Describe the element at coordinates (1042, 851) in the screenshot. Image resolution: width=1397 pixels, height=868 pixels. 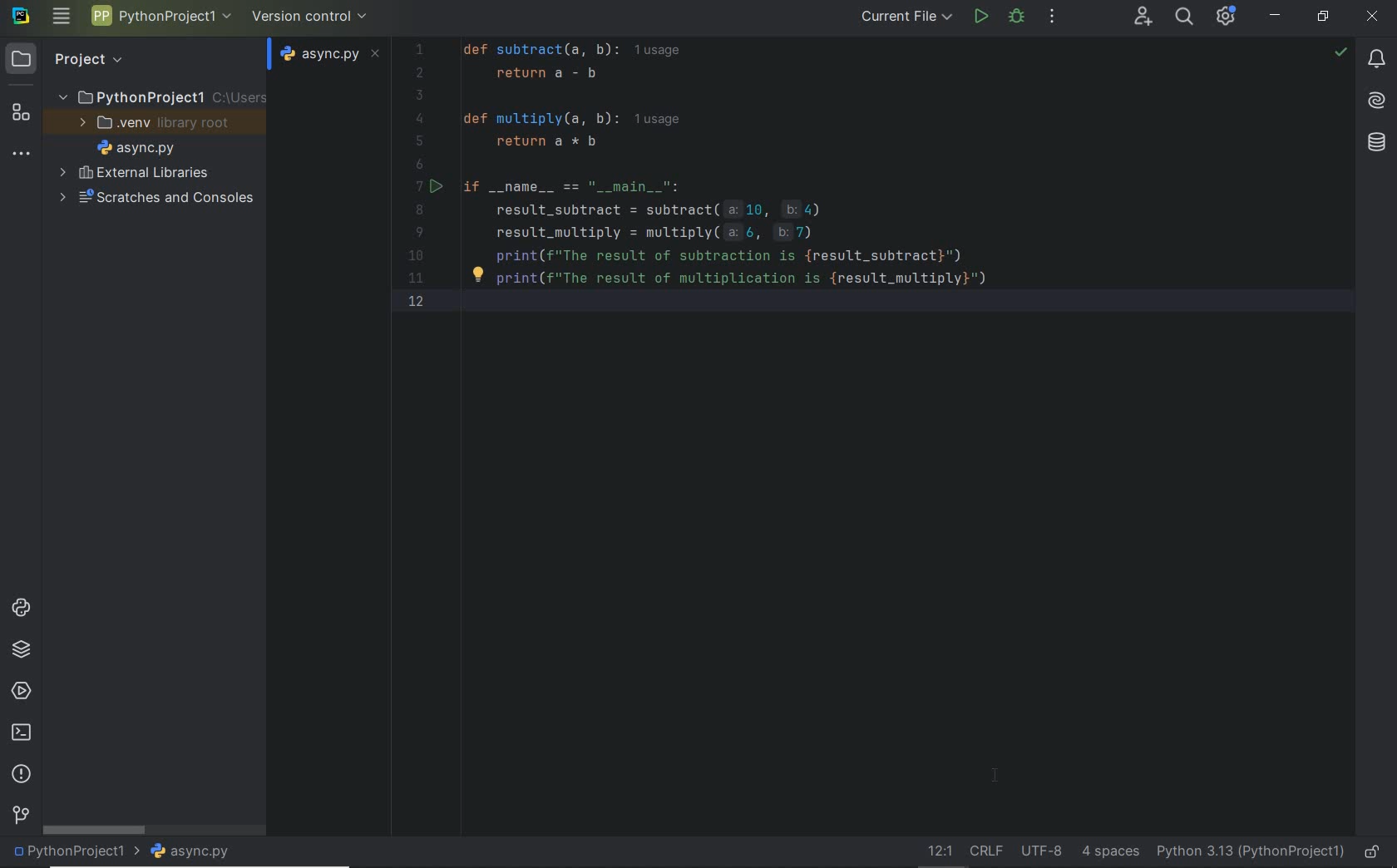
I see `file encoding` at that location.